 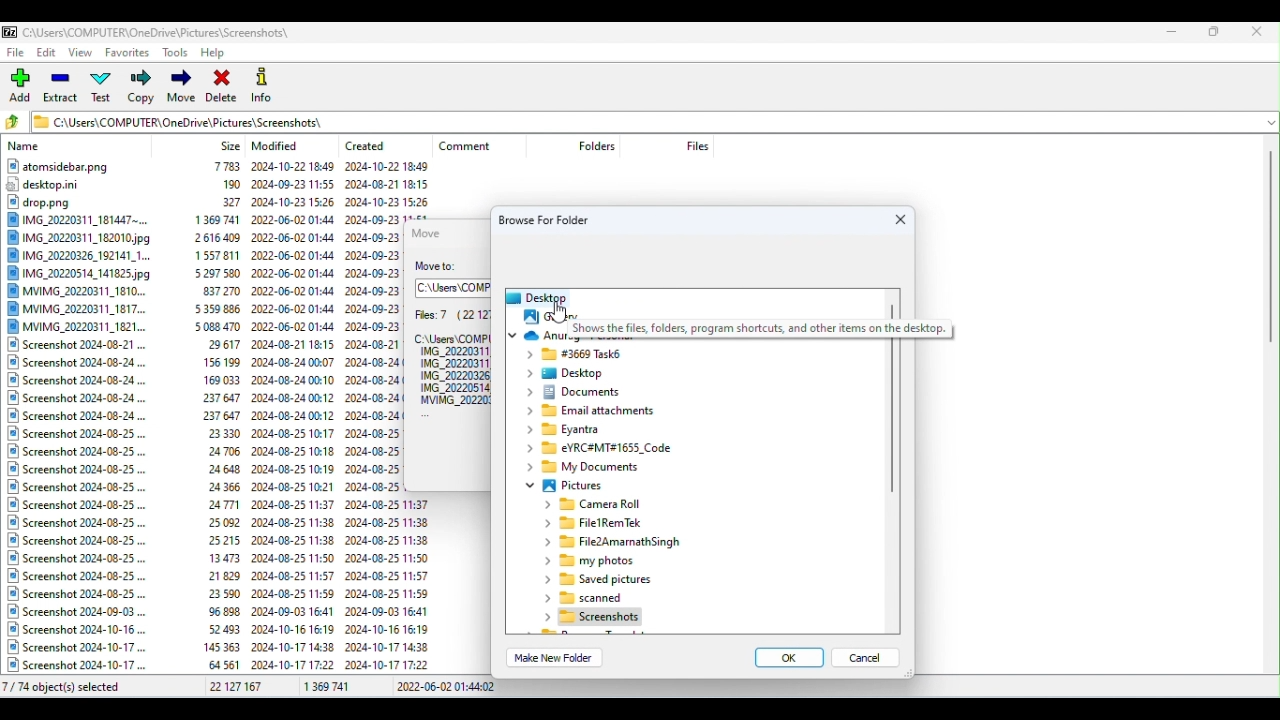 I want to click on Desktop, so click(x=538, y=296).